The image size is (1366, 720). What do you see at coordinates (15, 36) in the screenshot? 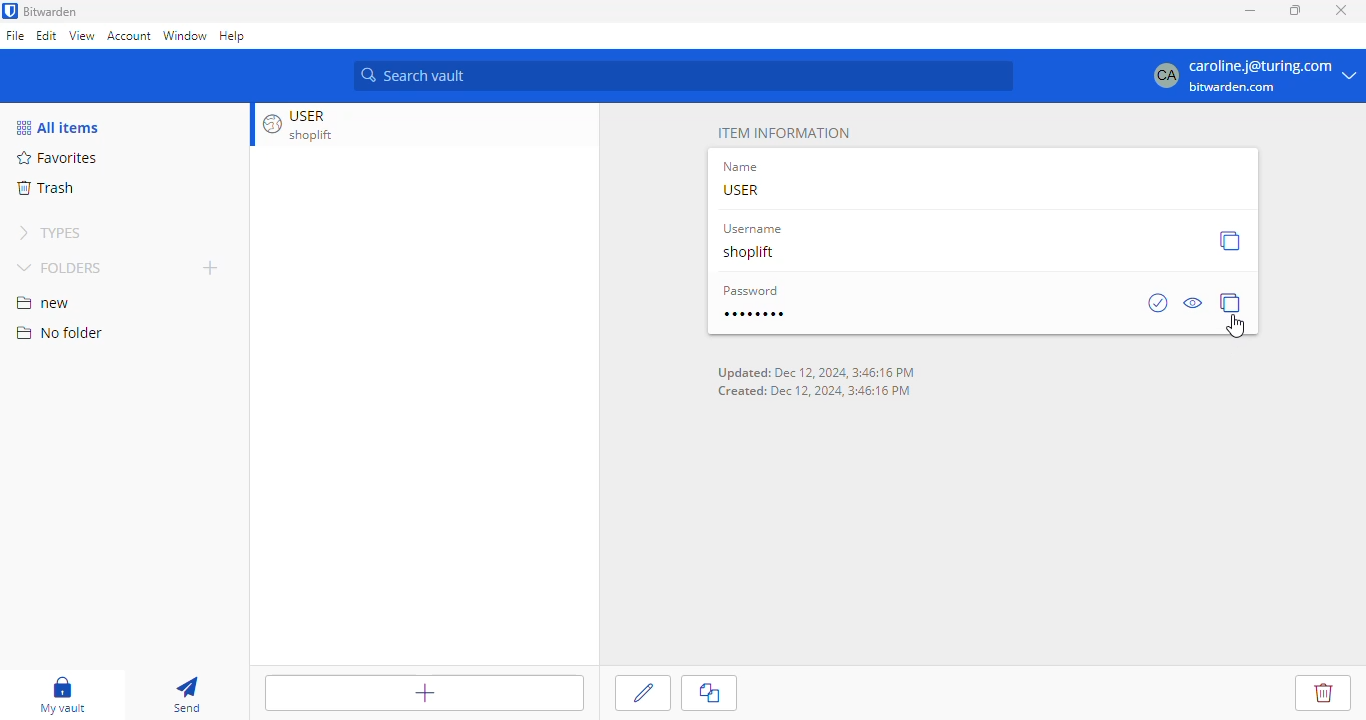
I see `file` at bounding box center [15, 36].